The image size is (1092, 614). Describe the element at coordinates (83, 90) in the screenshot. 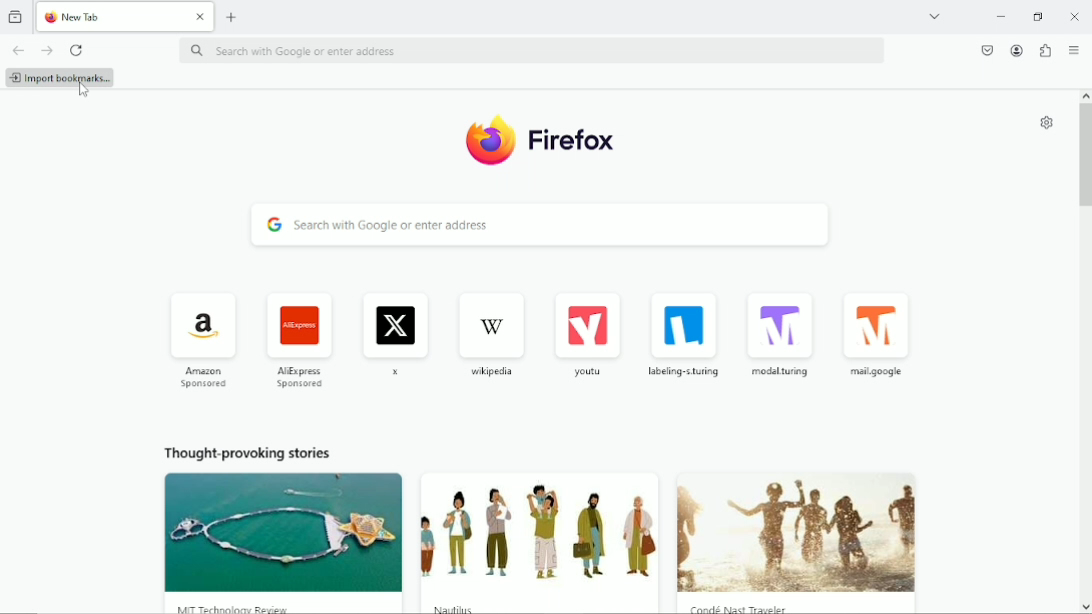

I see `cursor` at that location.